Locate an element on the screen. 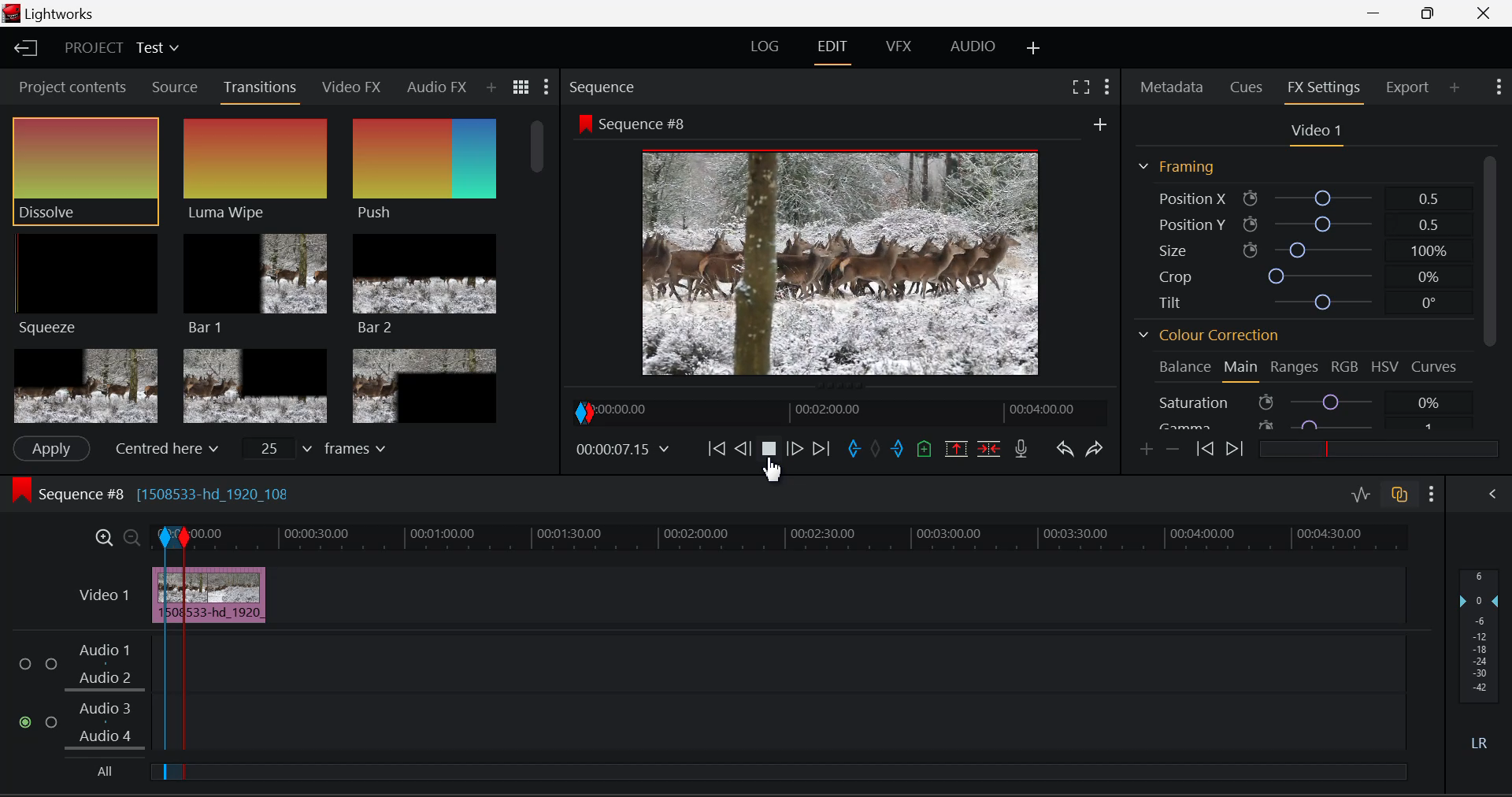  Mark Cue is located at coordinates (923, 450).